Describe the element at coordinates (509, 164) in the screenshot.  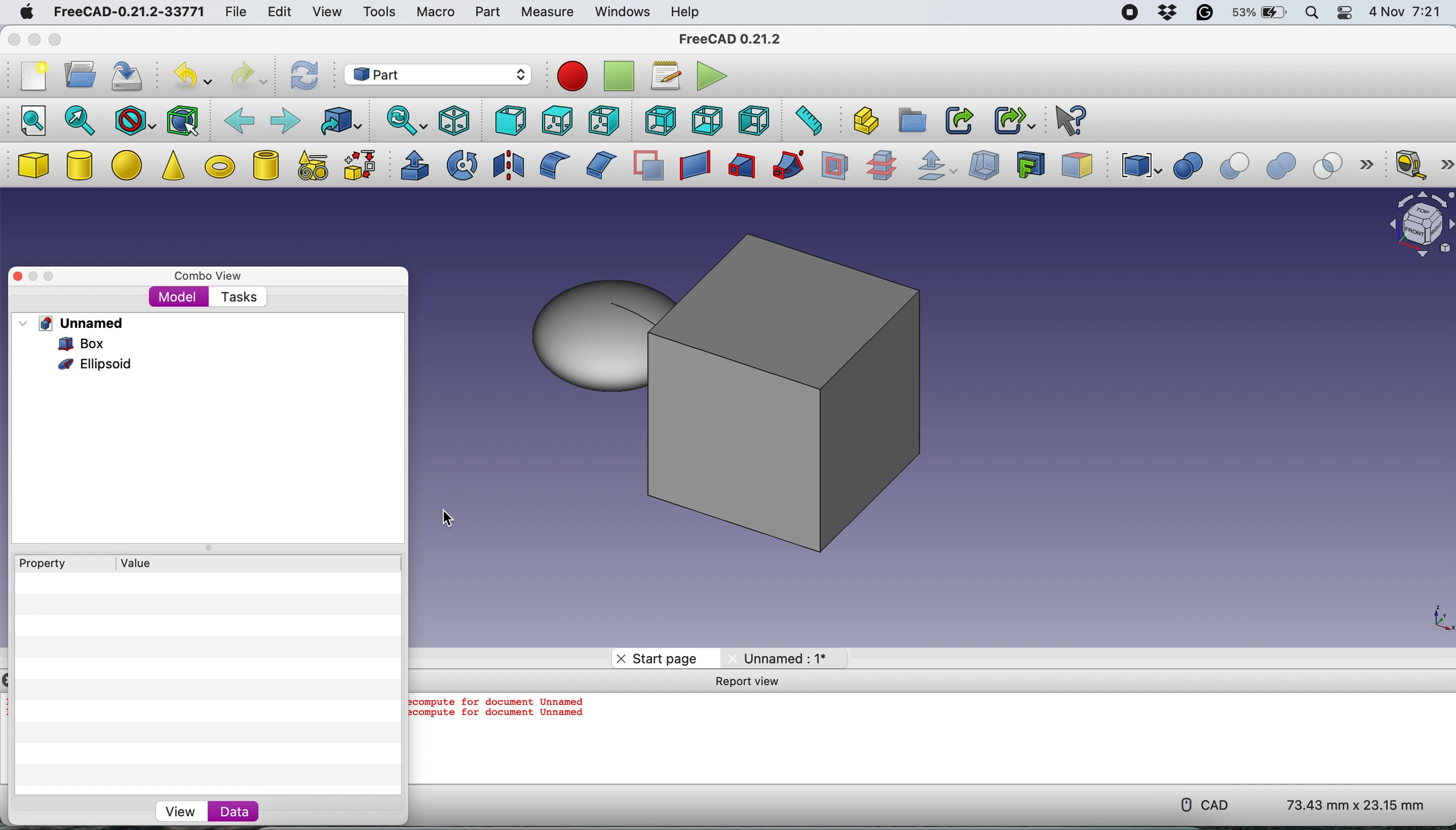
I see `mirroring` at that location.